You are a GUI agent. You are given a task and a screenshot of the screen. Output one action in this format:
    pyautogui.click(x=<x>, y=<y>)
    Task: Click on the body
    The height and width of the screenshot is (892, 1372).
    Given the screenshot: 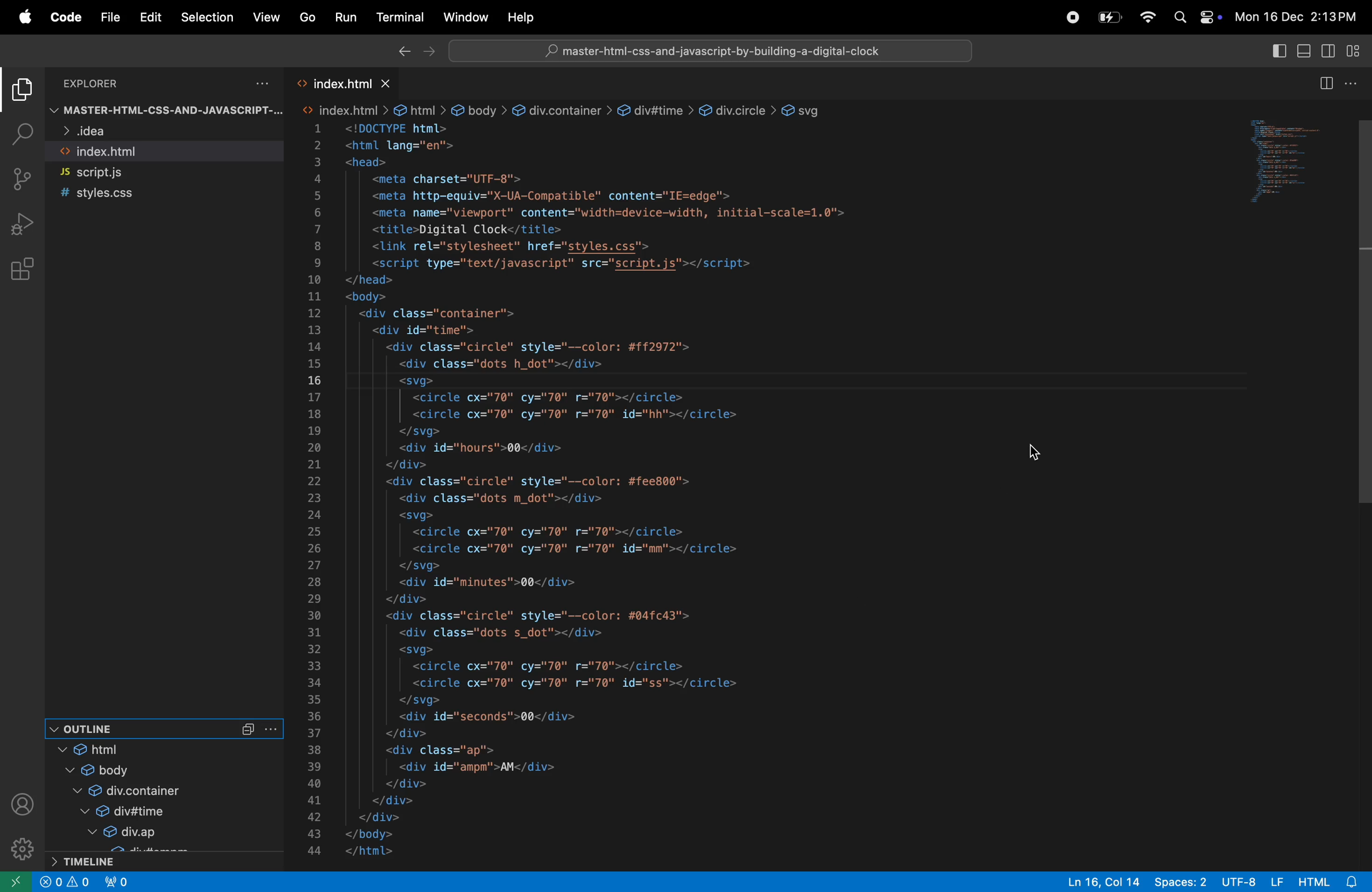 What is the action you would take?
    pyautogui.click(x=129, y=770)
    